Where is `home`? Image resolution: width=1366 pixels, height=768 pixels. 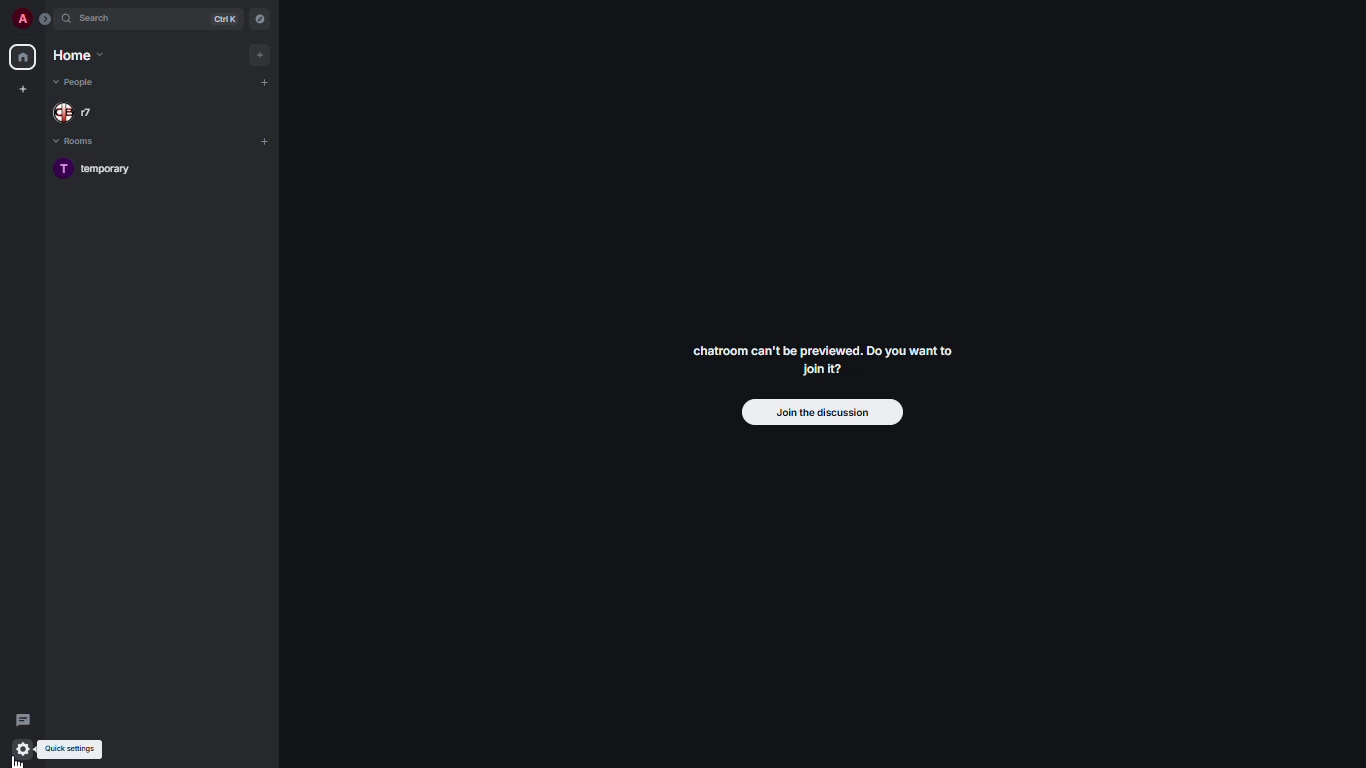 home is located at coordinates (22, 57).